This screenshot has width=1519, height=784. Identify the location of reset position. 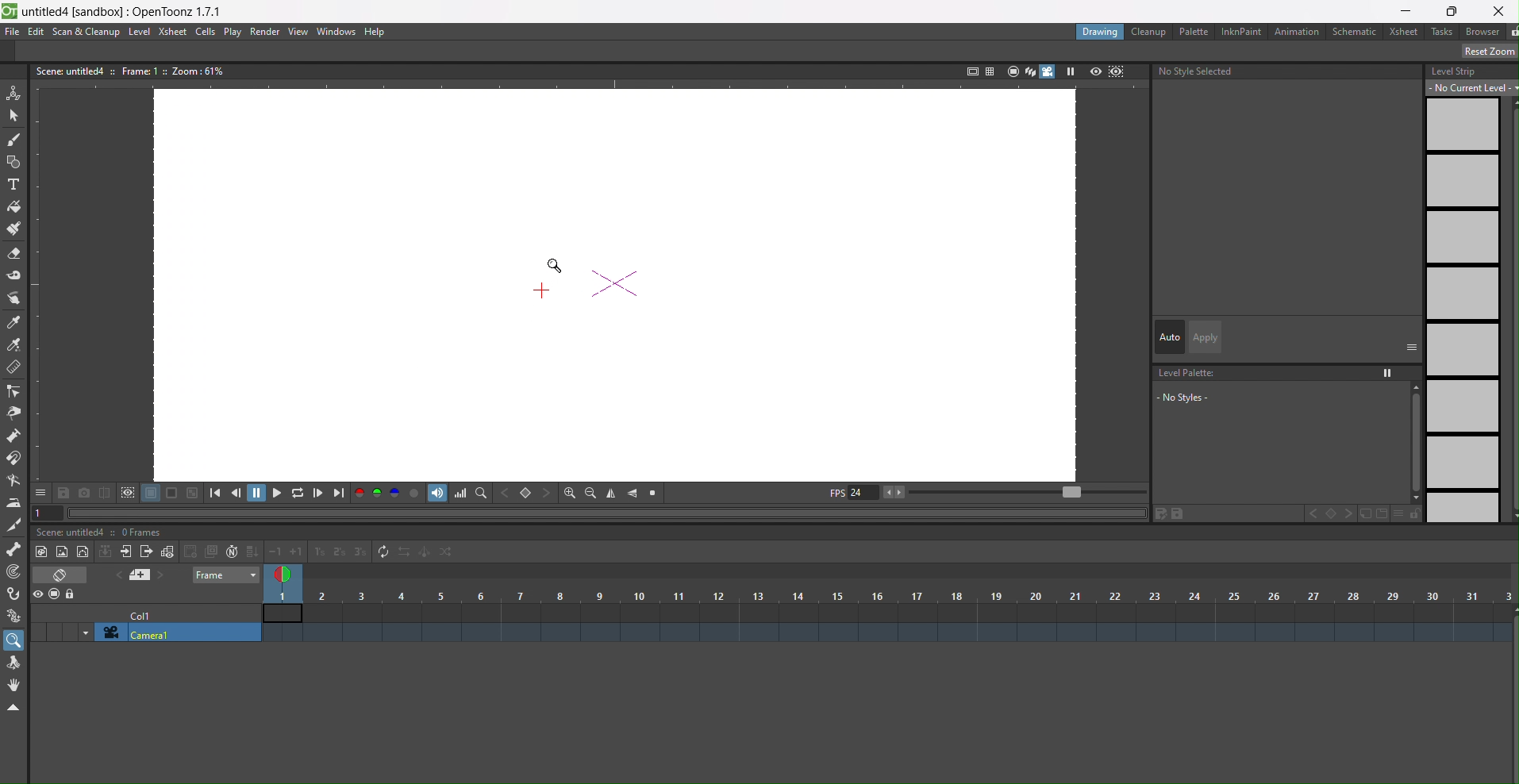
(1482, 52).